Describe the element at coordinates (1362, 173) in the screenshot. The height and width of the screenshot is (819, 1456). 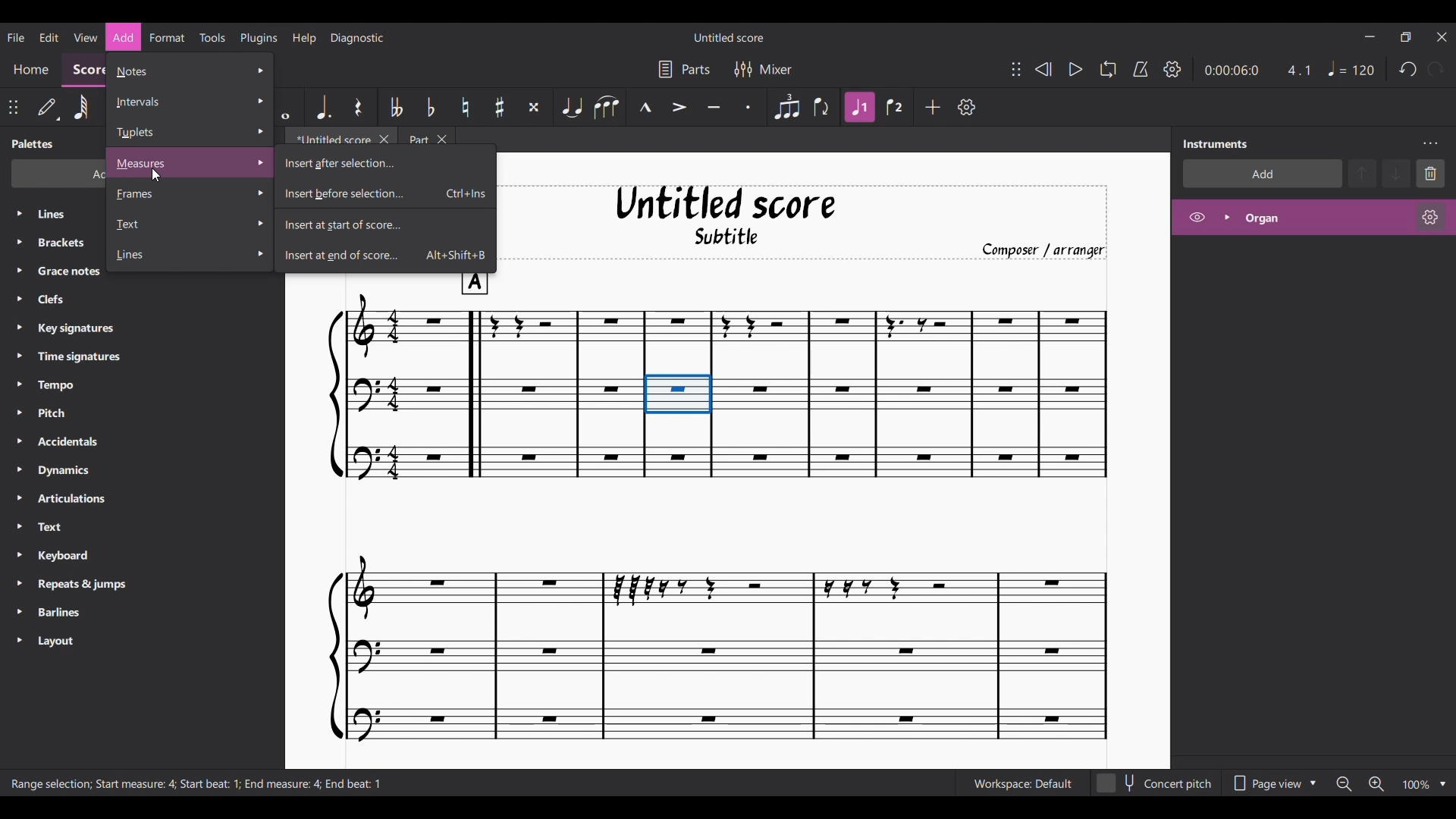
I see `Move up` at that location.